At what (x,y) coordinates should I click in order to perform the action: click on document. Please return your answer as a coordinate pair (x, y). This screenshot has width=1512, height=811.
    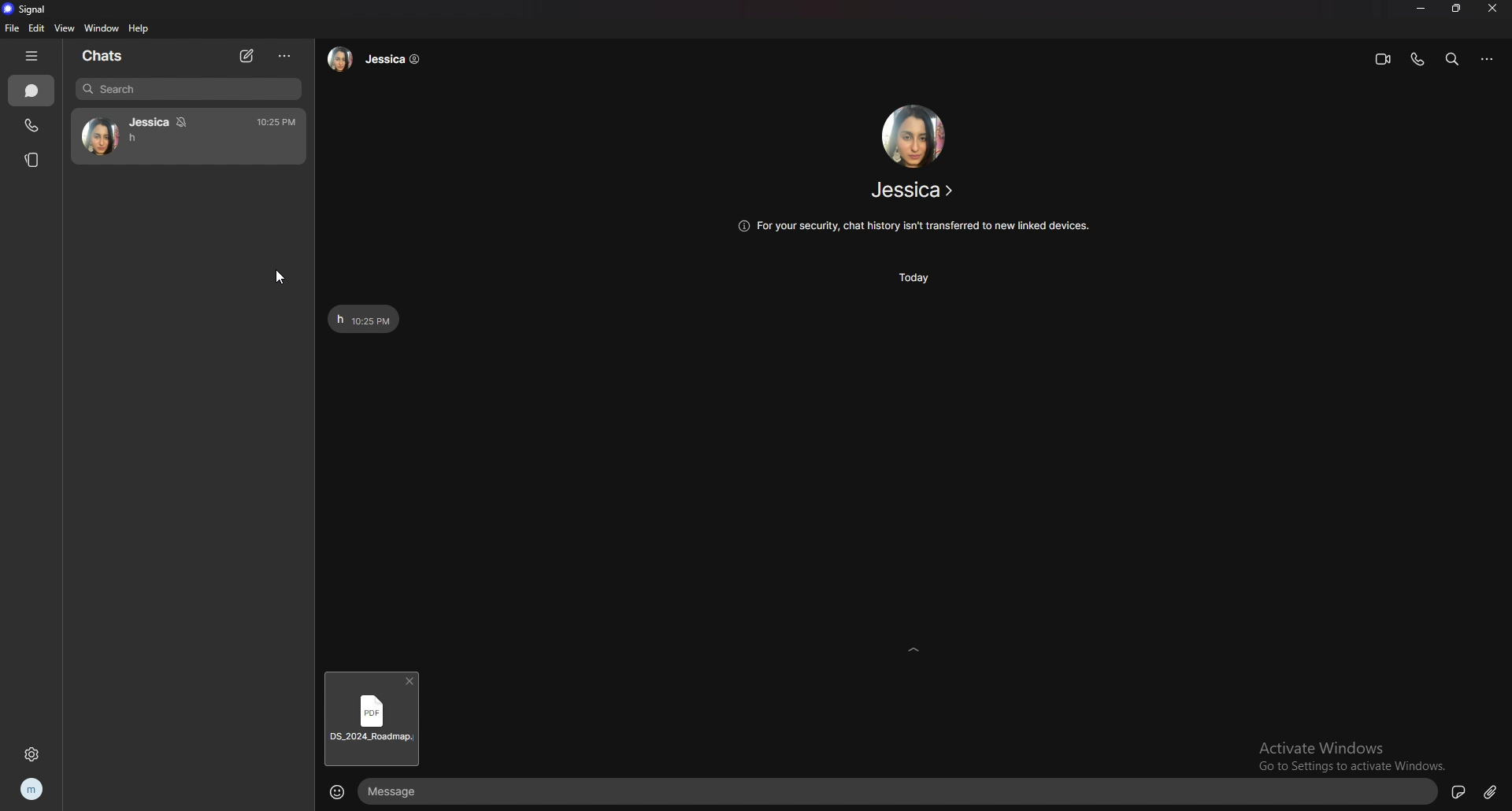
    Looking at the image, I should click on (372, 726).